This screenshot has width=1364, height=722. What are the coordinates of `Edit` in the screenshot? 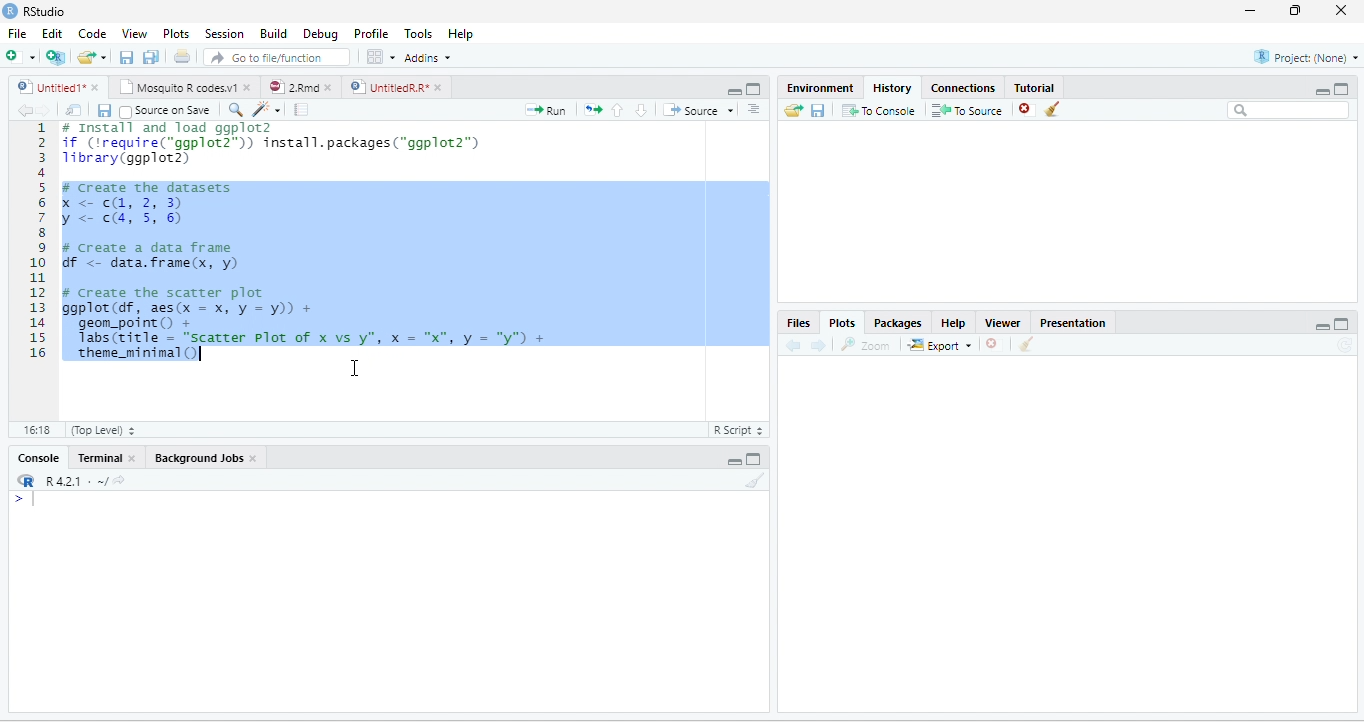 It's located at (51, 33).